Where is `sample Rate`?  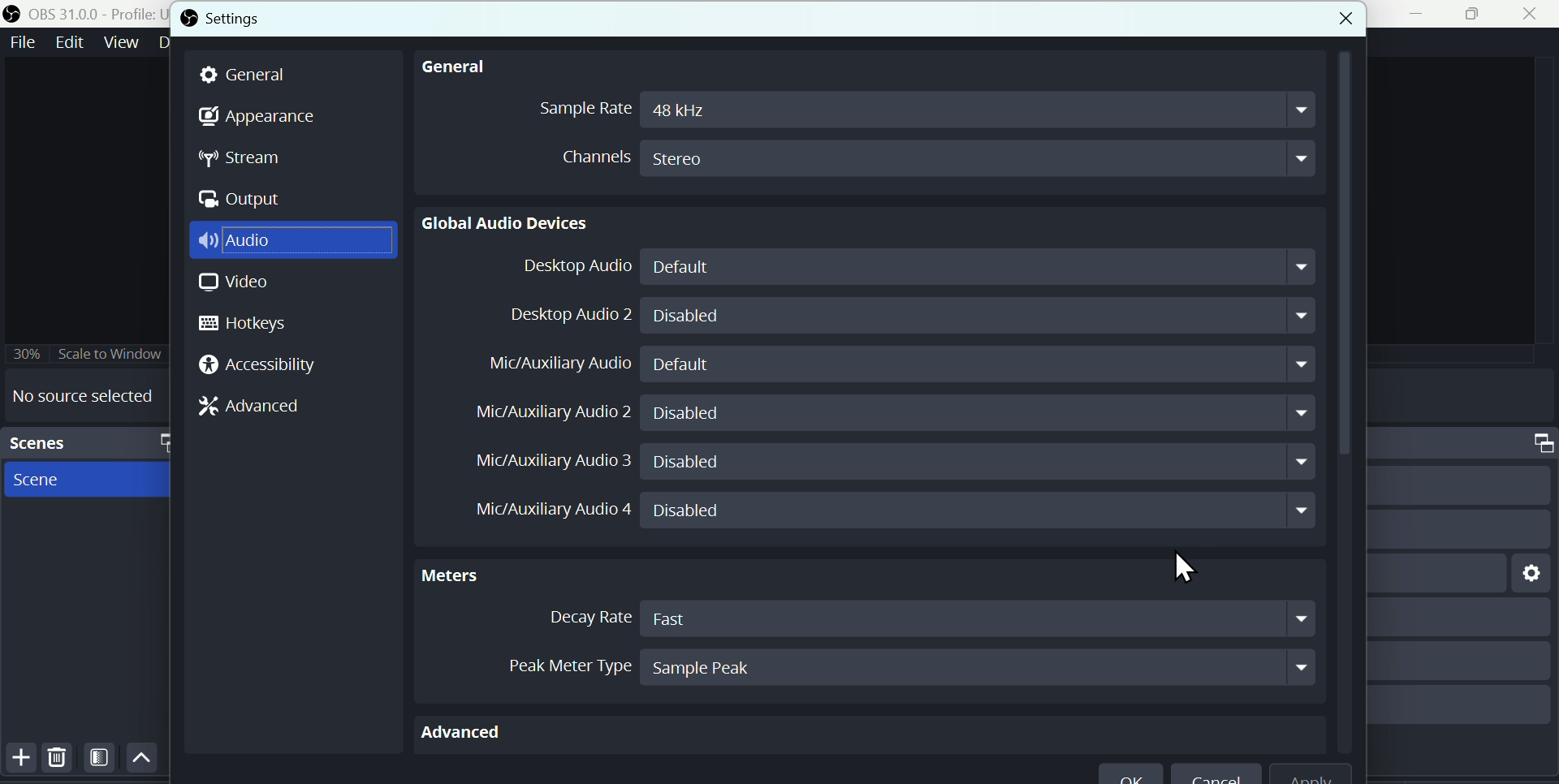 sample Rate is located at coordinates (588, 109).